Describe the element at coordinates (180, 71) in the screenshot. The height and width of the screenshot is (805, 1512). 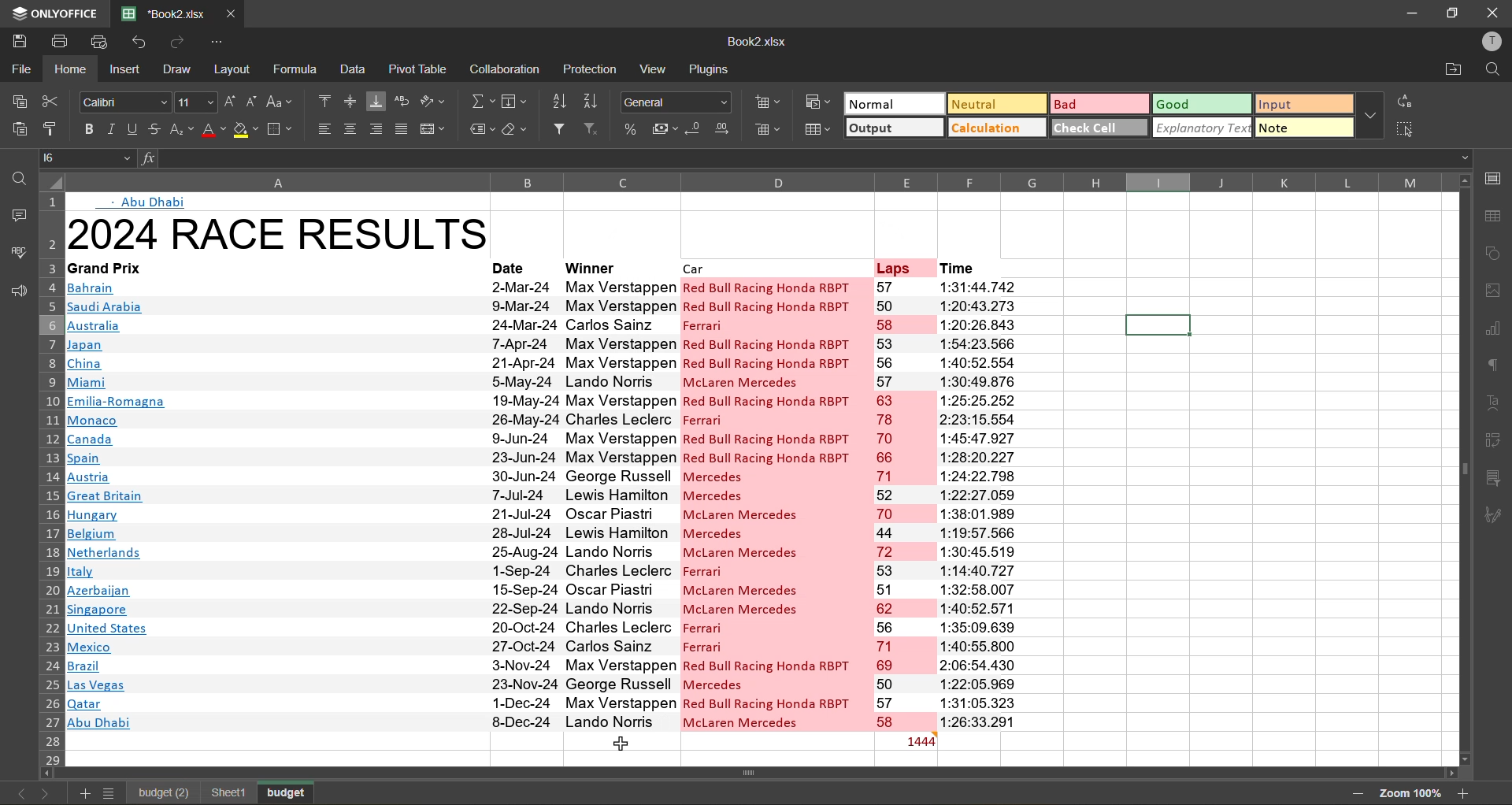
I see `draw` at that location.